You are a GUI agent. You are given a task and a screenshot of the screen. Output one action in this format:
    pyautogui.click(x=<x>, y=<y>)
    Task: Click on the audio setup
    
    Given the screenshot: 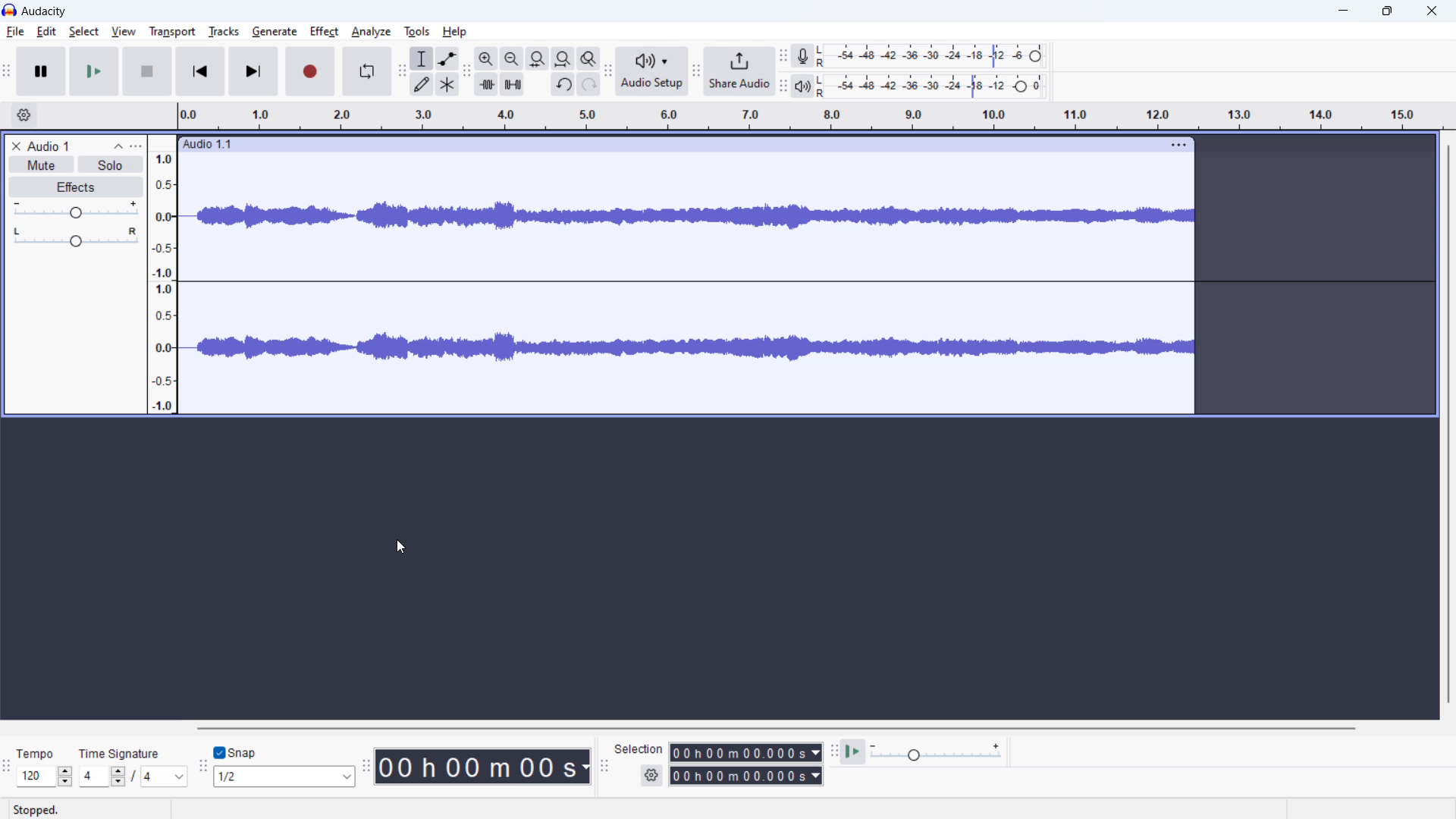 What is the action you would take?
    pyautogui.click(x=607, y=72)
    